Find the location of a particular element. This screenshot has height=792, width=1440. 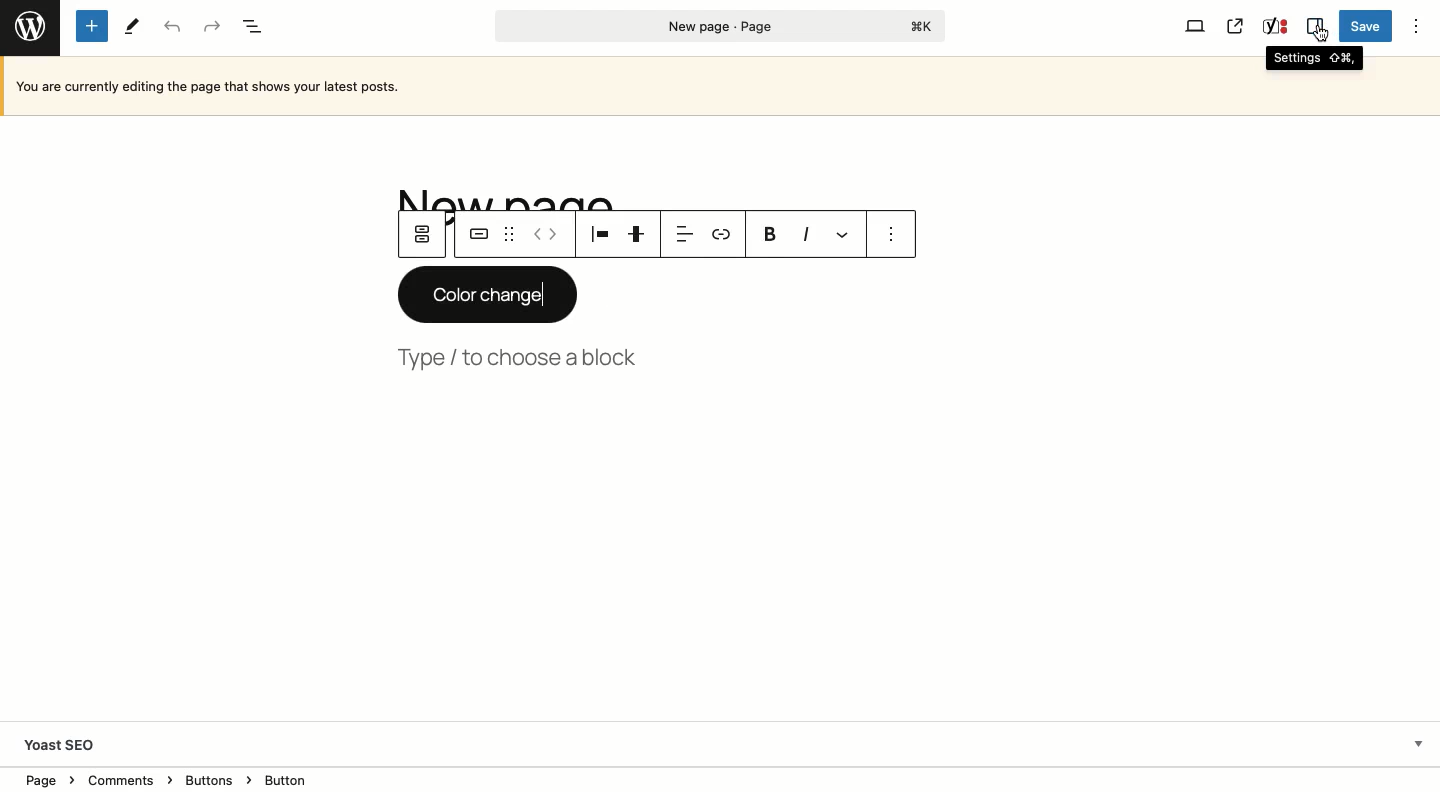

SEO is located at coordinates (1276, 26).